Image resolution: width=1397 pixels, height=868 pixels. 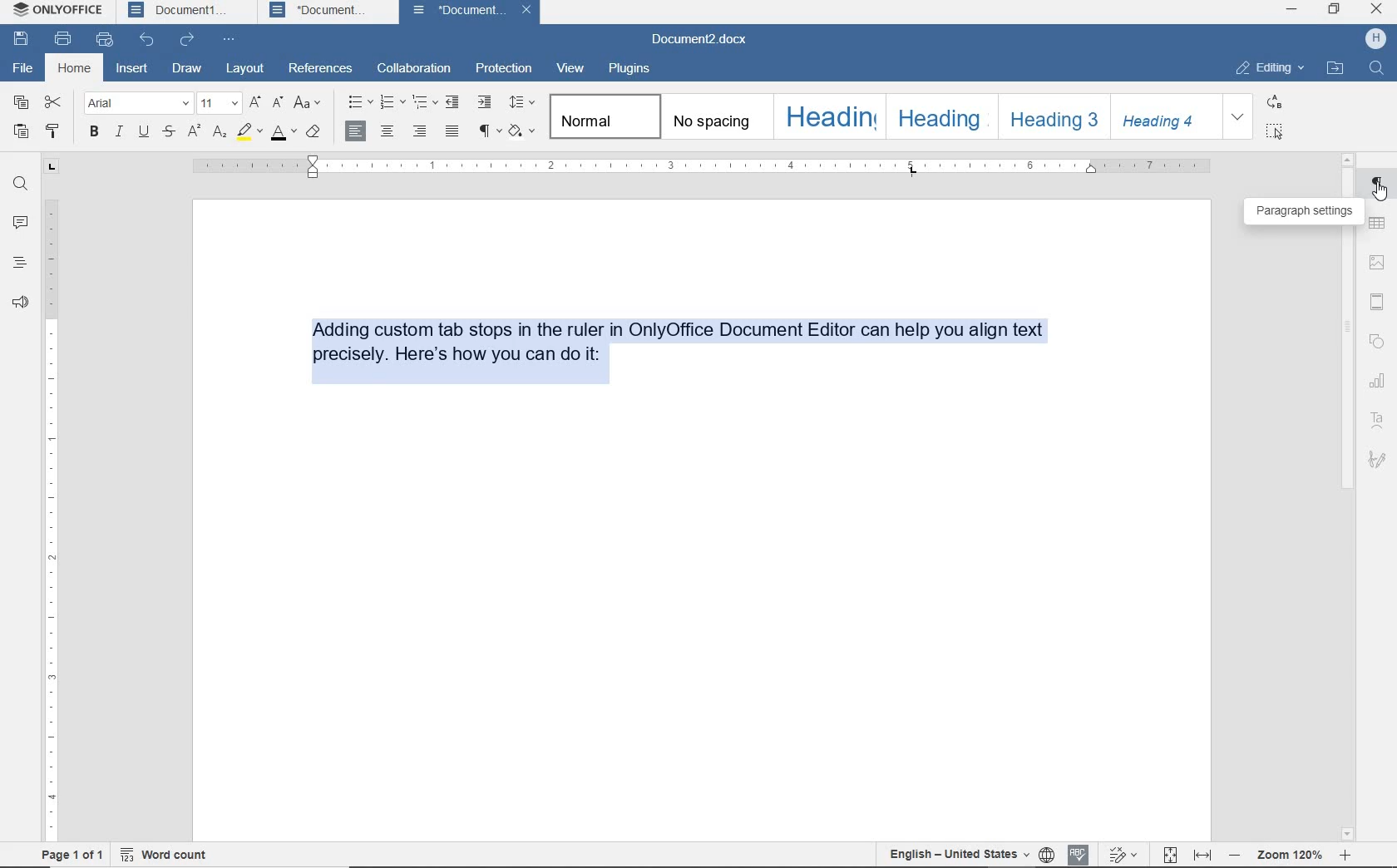 What do you see at coordinates (1167, 855) in the screenshot?
I see `fit to page` at bounding box center [1167, 855].